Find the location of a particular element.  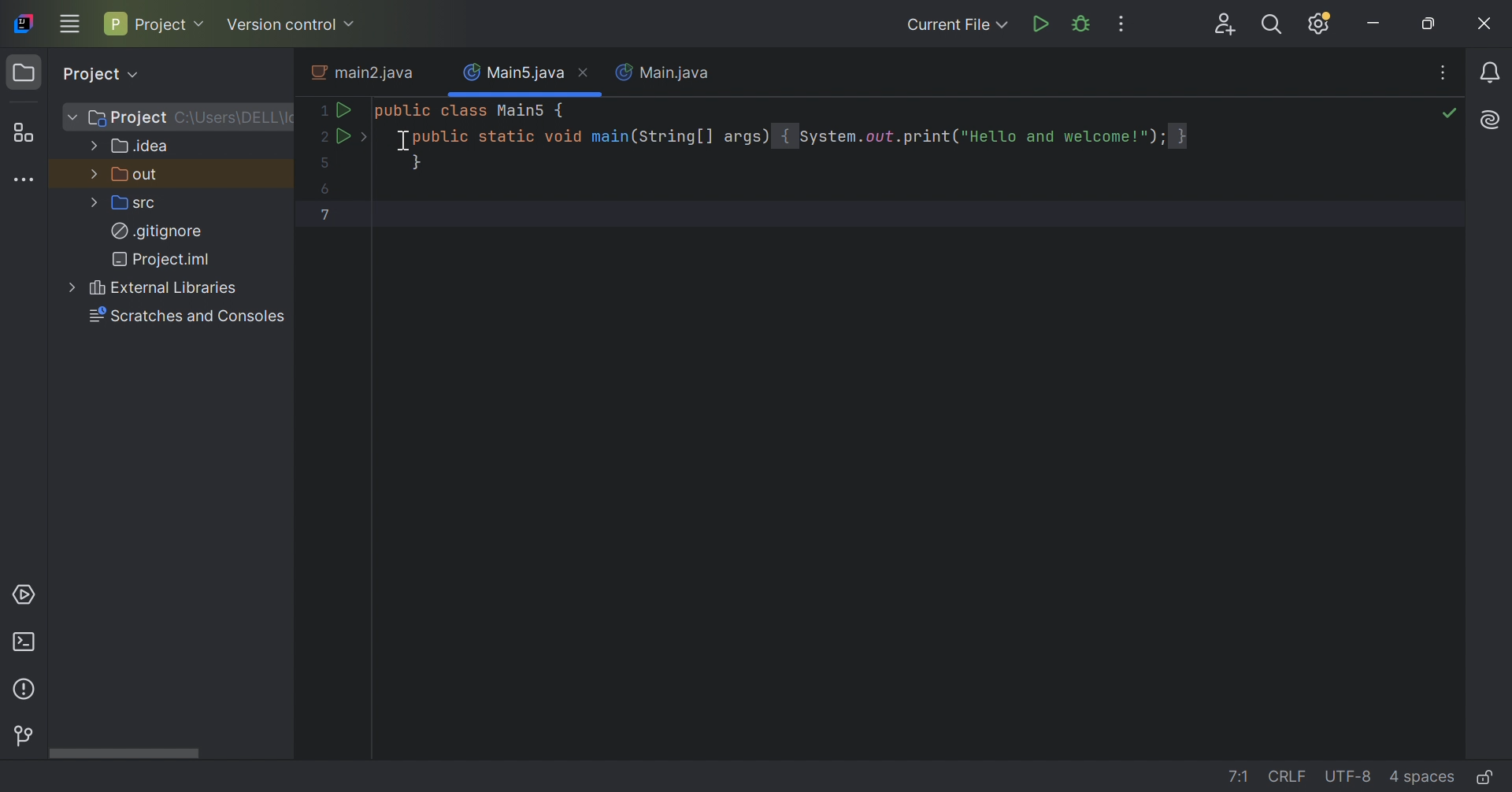

Restore down is located at coordinates (1430, 26).